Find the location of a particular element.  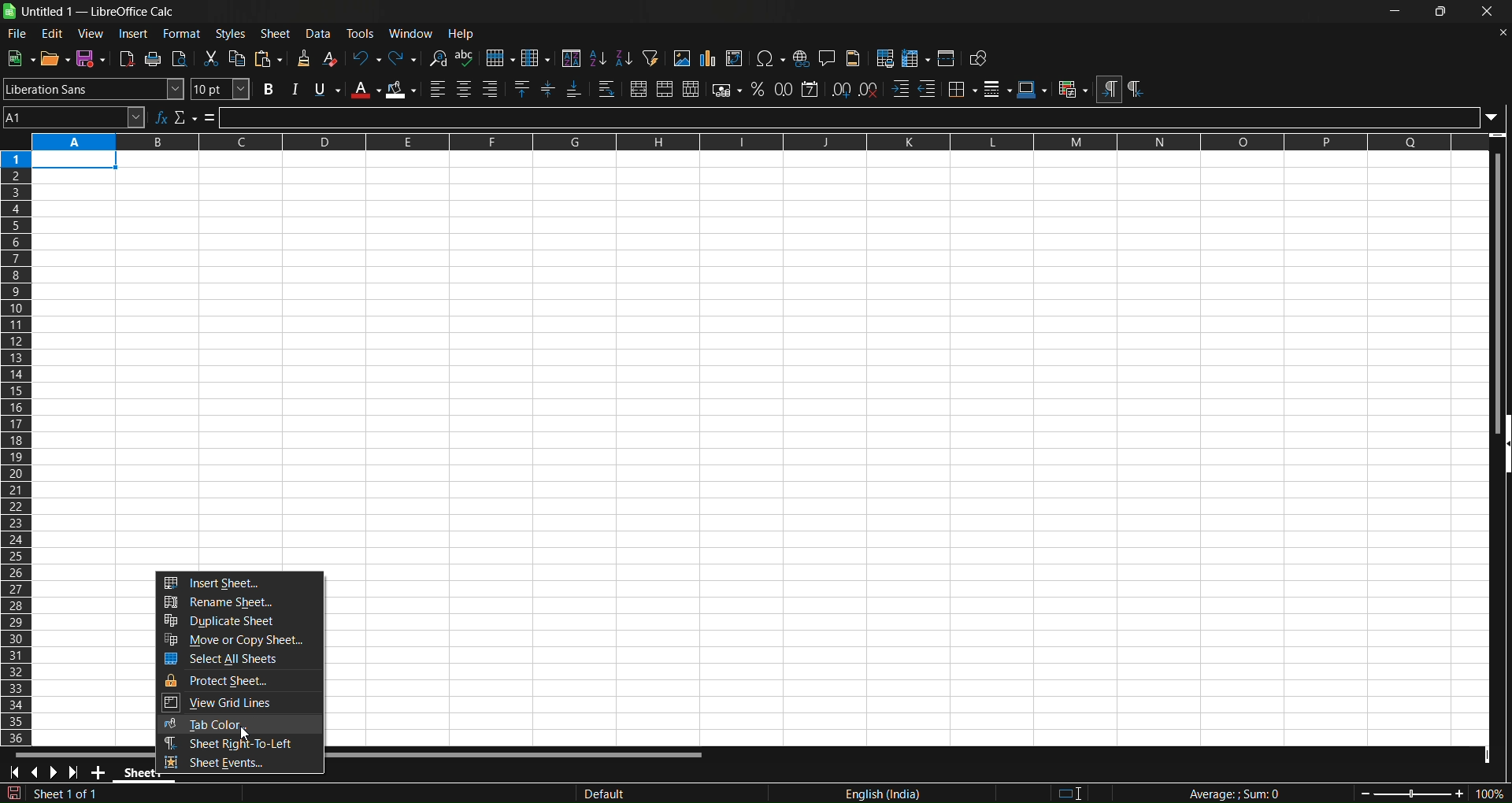

view grid lines is located at coordinates (240, 705).